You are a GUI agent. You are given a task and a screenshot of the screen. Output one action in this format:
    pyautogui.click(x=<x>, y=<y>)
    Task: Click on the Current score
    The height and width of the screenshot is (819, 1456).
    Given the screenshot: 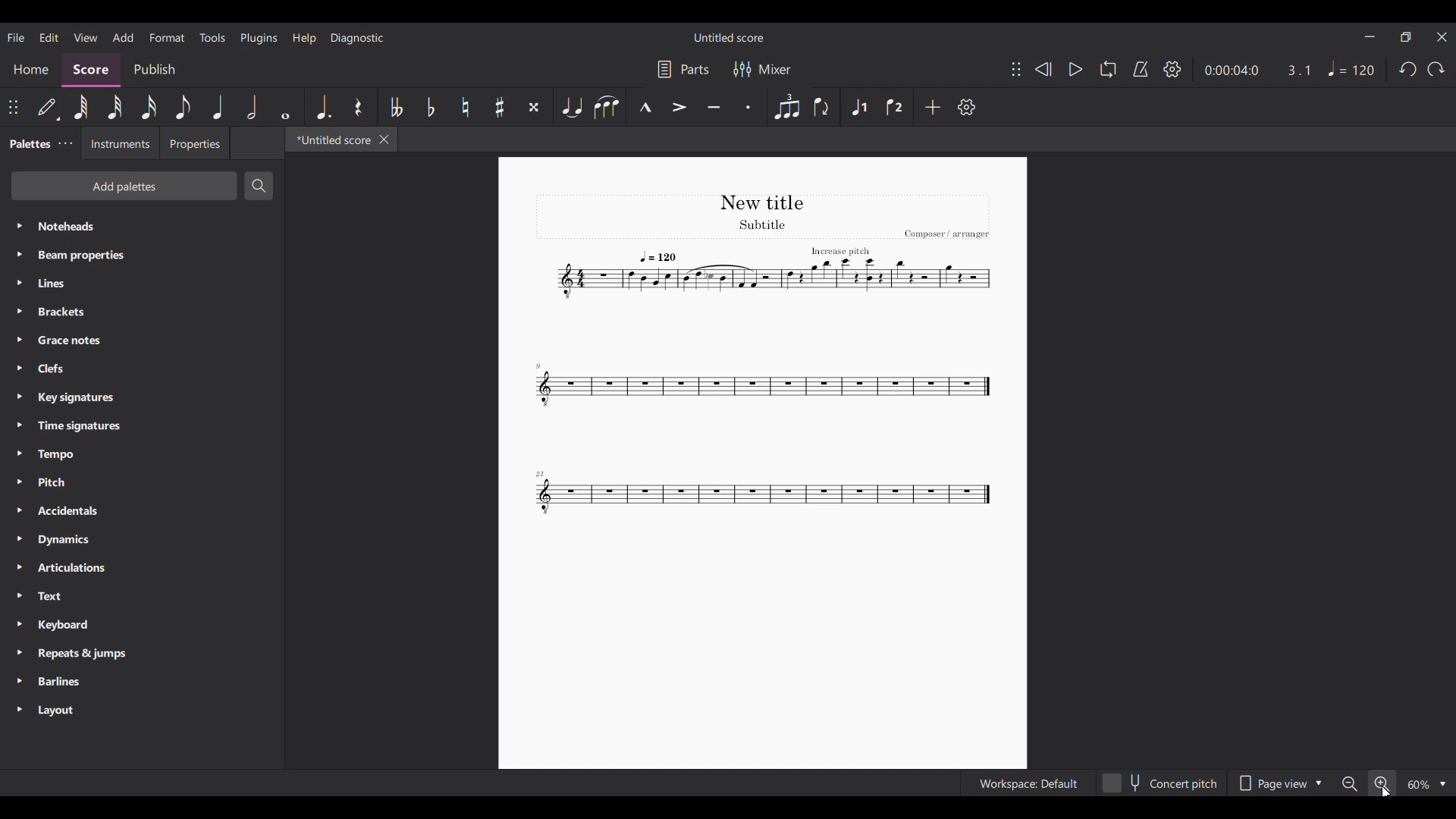 What is the action you would take?
    pyautogui.click(x=761, y=356)
    